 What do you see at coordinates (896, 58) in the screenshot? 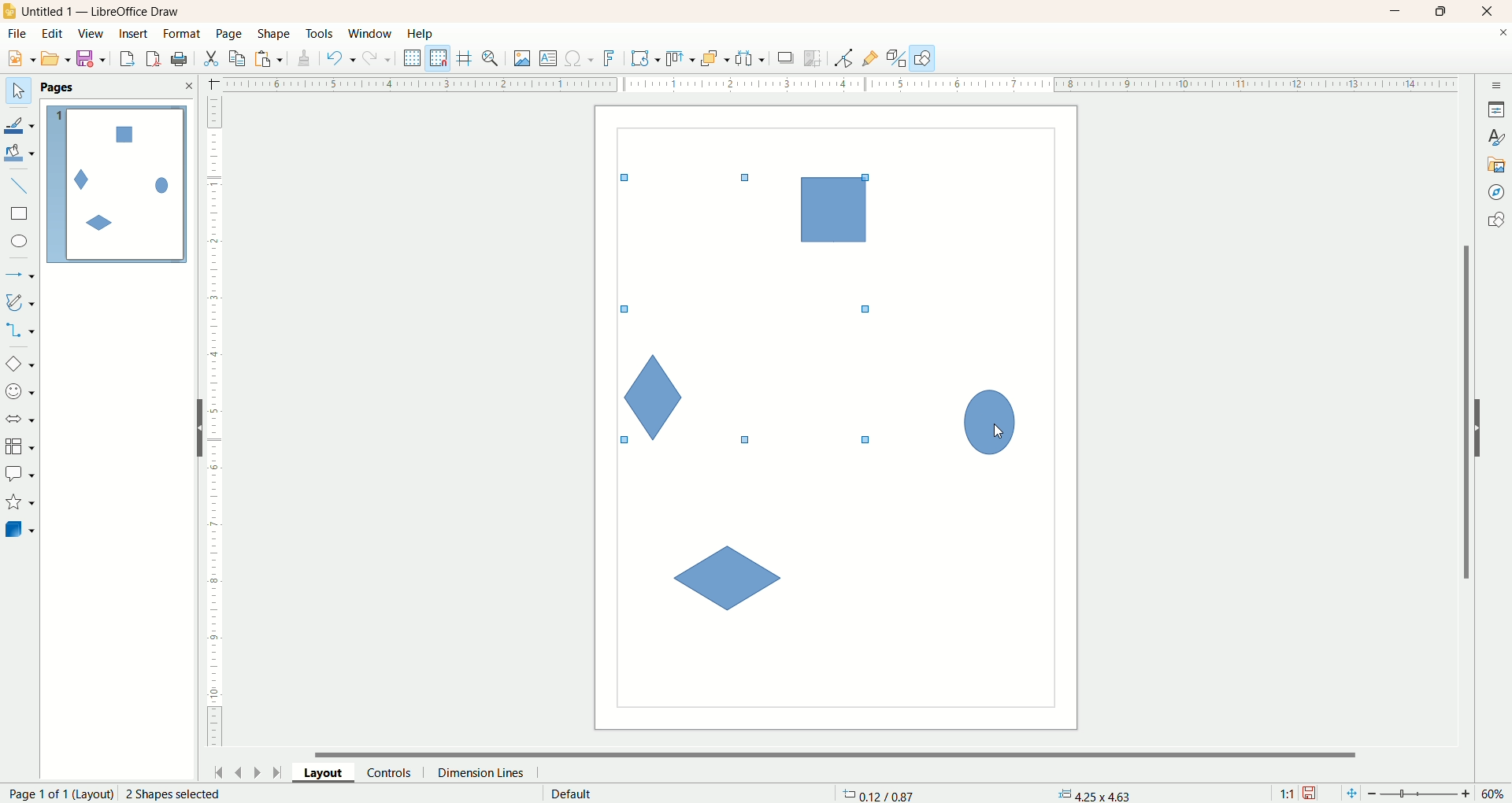
I see `toggle extrusion` at bounding box center [896, 58].